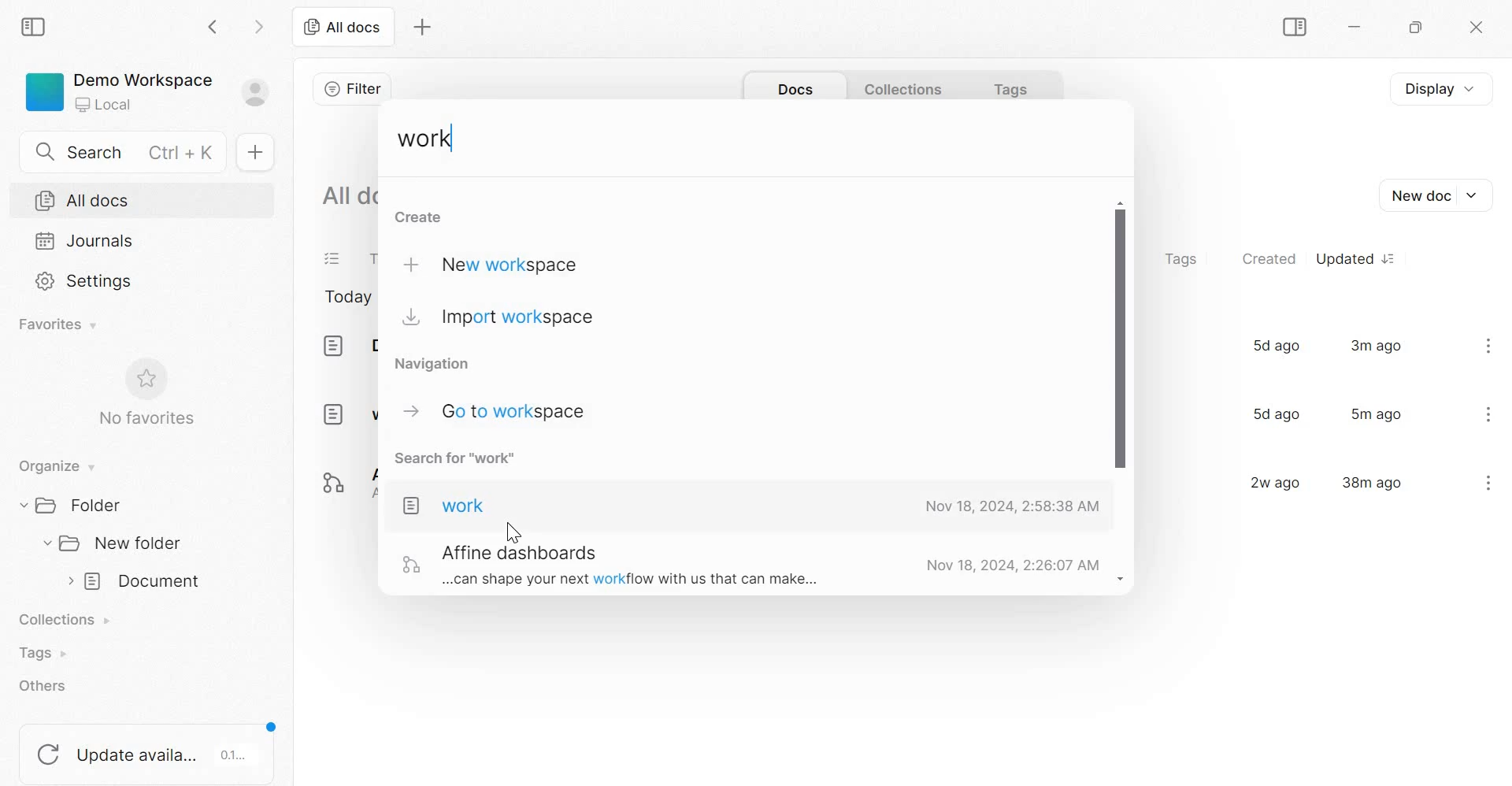 The width and height of the screenshot is (1512, 786). Describe the element at coordinates (1004, 85) in the screenshot. I see `Tags` at that location.